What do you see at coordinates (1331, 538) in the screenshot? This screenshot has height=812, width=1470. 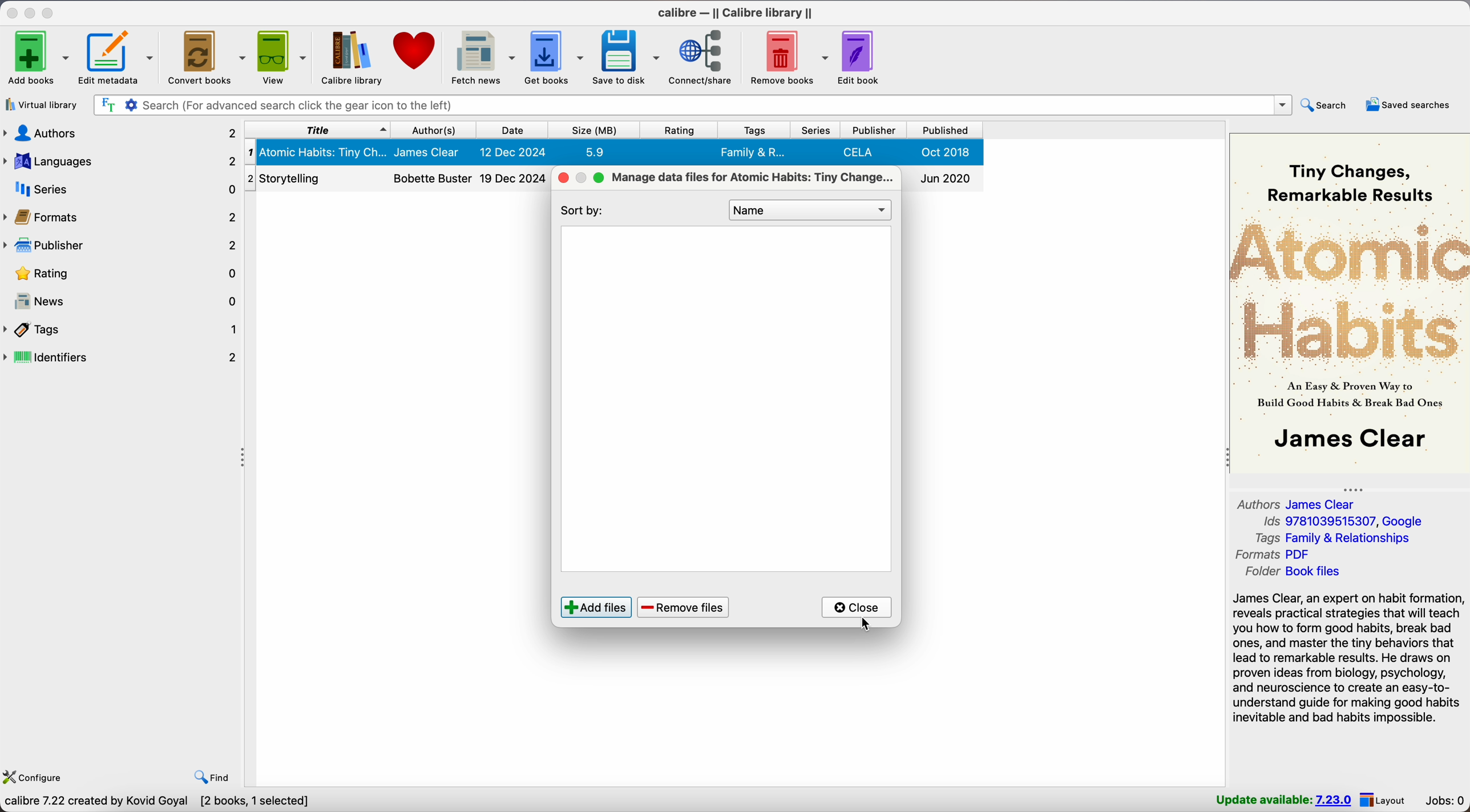 I see `tags Family & Relationships` at bounding box center [1331, 538].